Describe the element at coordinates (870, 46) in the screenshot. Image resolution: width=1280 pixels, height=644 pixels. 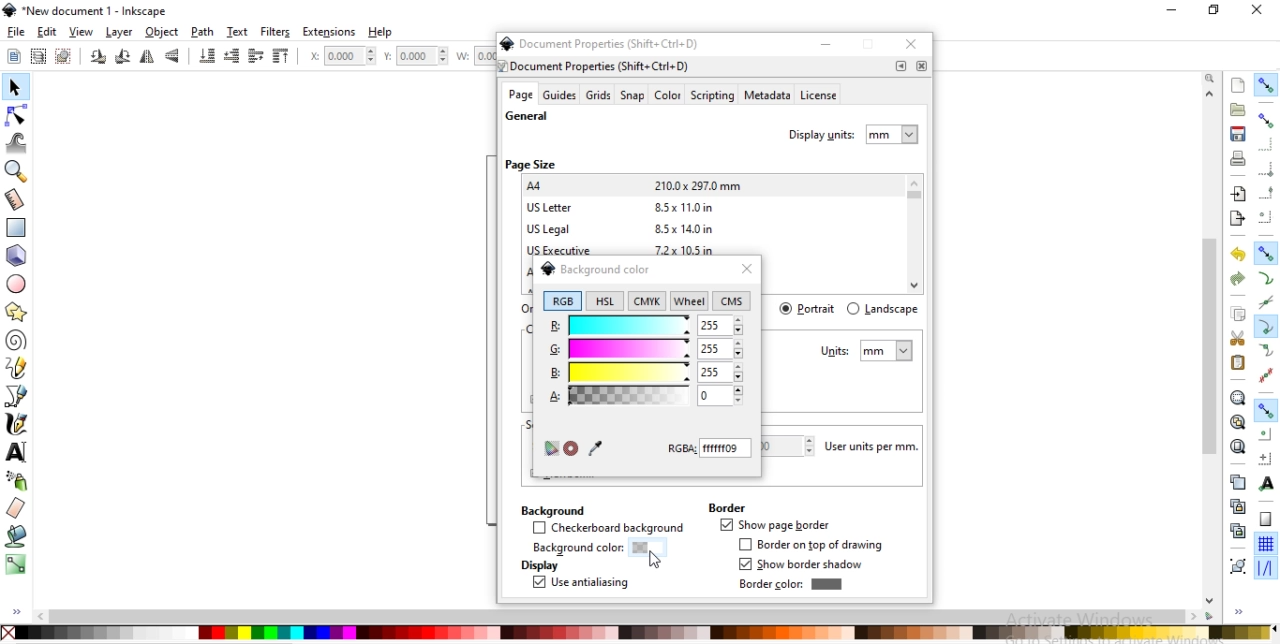
I see `restore down` at that location.